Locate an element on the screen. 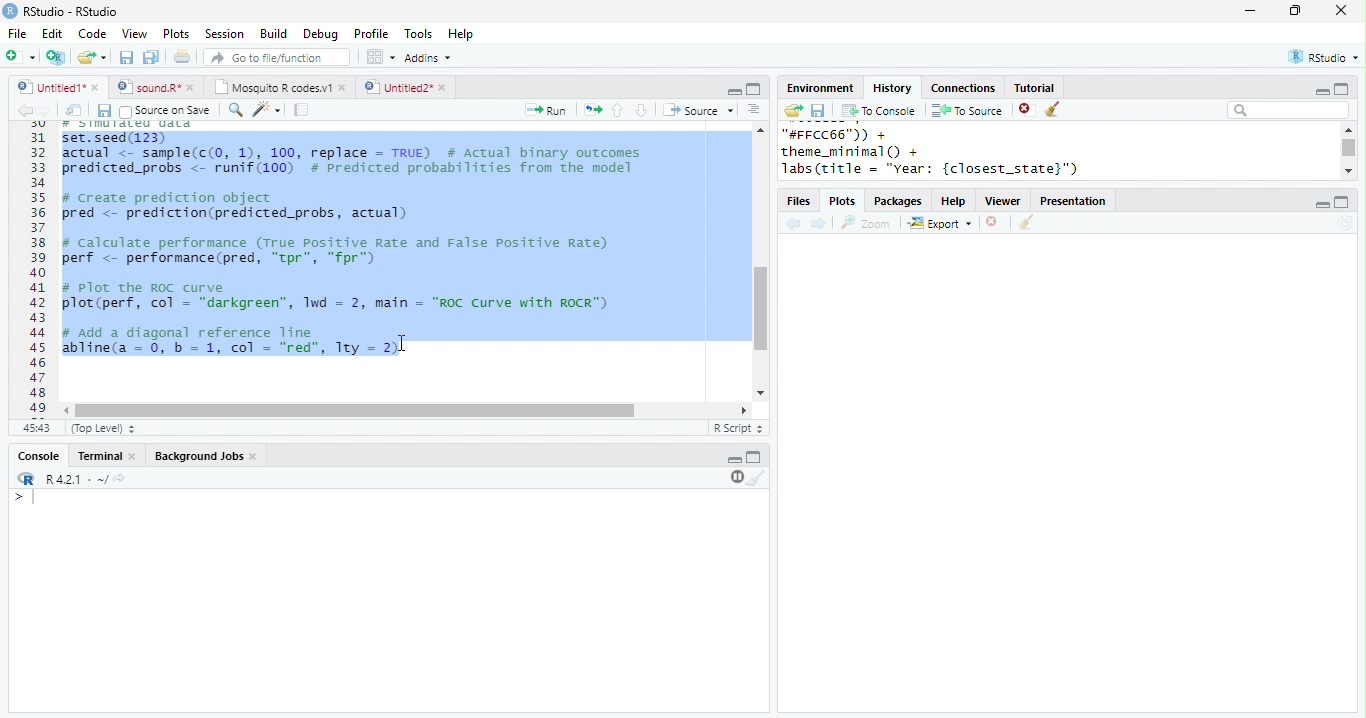 Image resolution: width=1366 pixels, height=718 pixels. 45:43 is located at coordinates (36, 427).